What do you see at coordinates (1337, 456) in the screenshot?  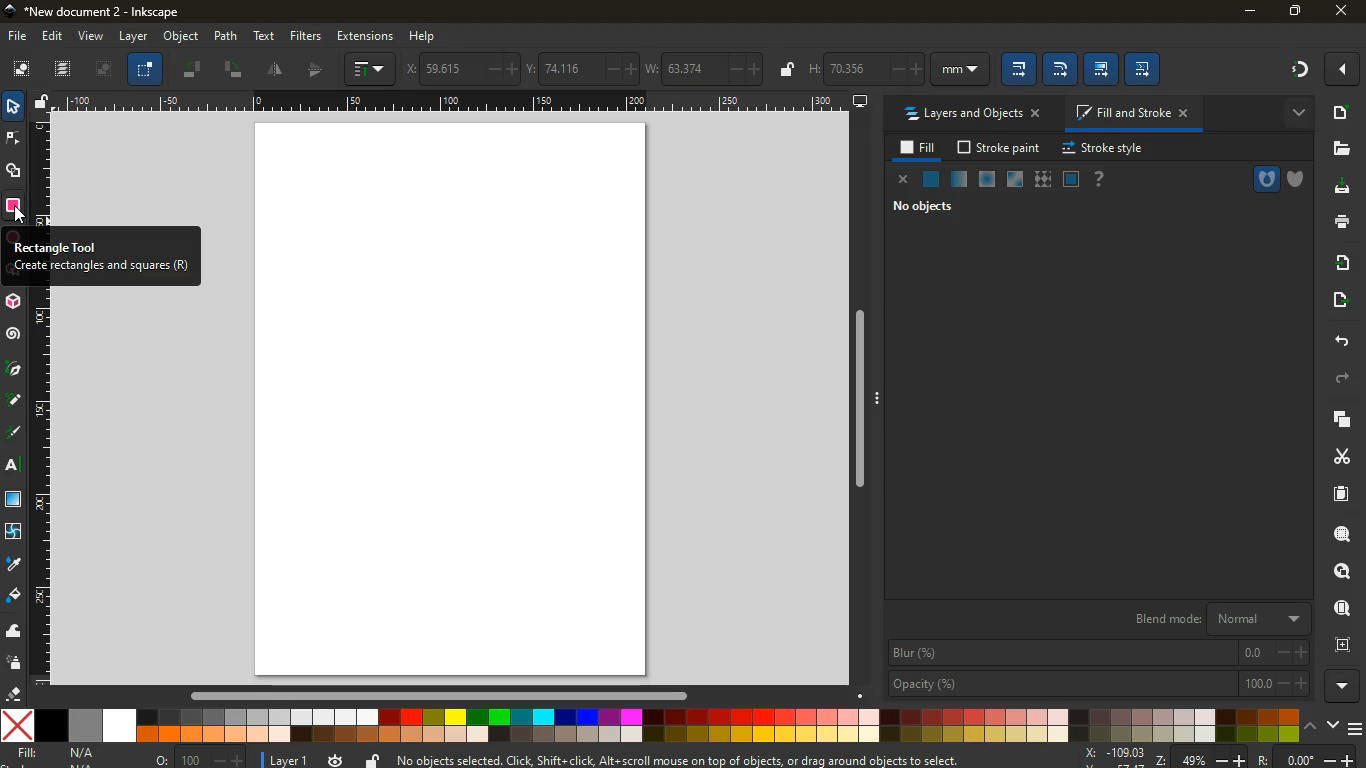 I see `cut` at bounding box center [1337, 456].